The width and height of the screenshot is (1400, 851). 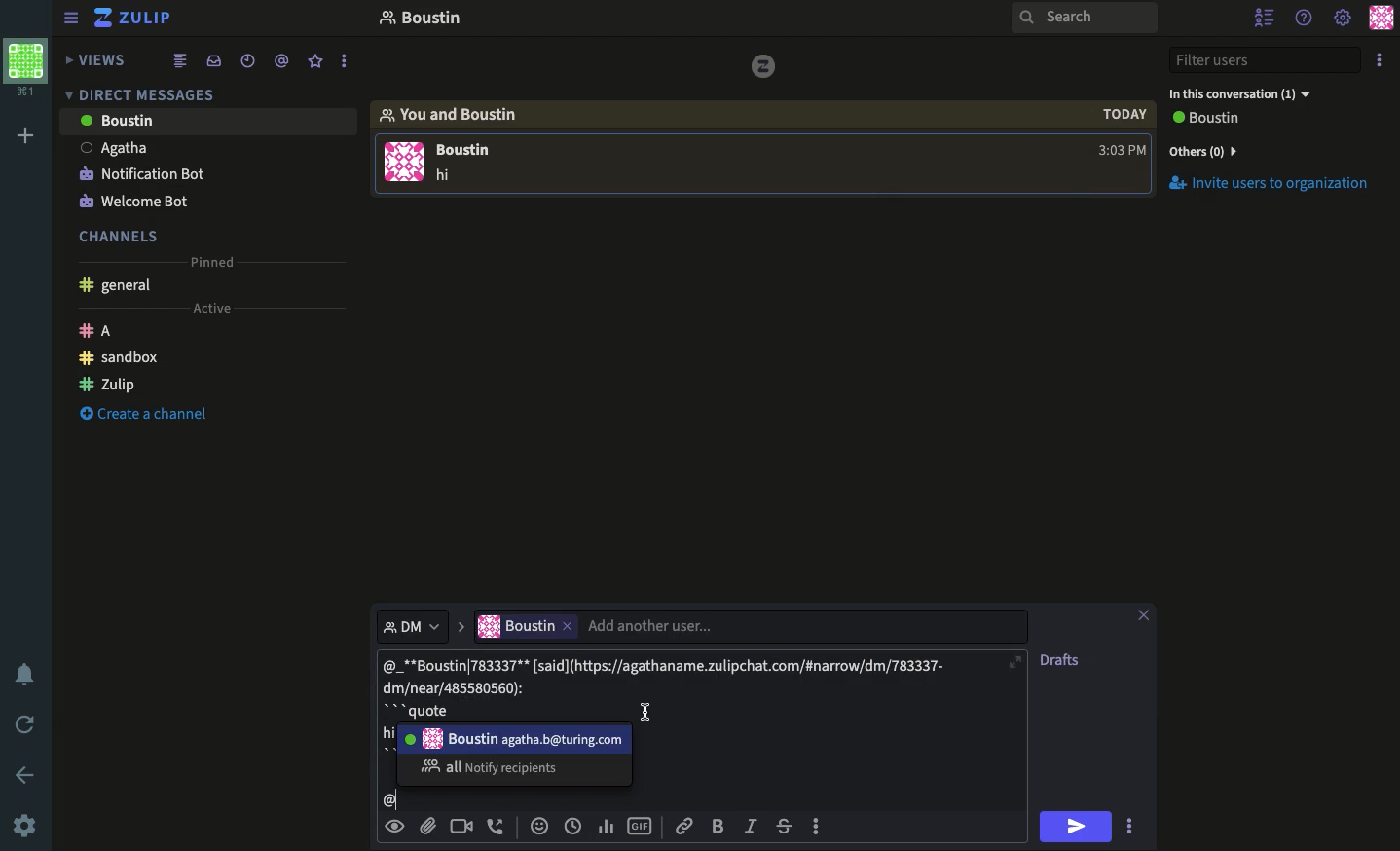 I want to click on Channels, so click(x=122, y=234).